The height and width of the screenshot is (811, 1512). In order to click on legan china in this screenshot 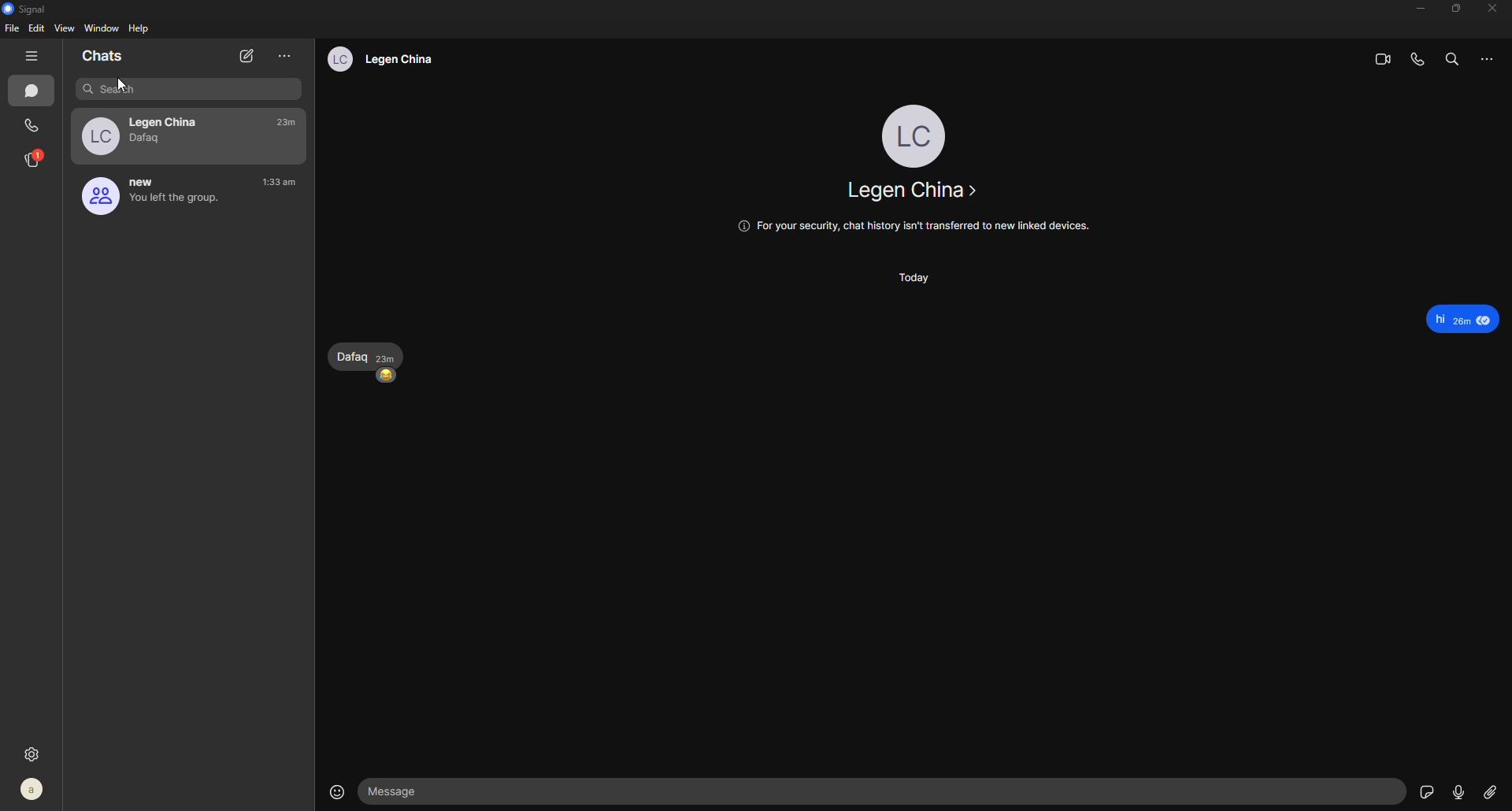, I will do `click(912, 190)`.